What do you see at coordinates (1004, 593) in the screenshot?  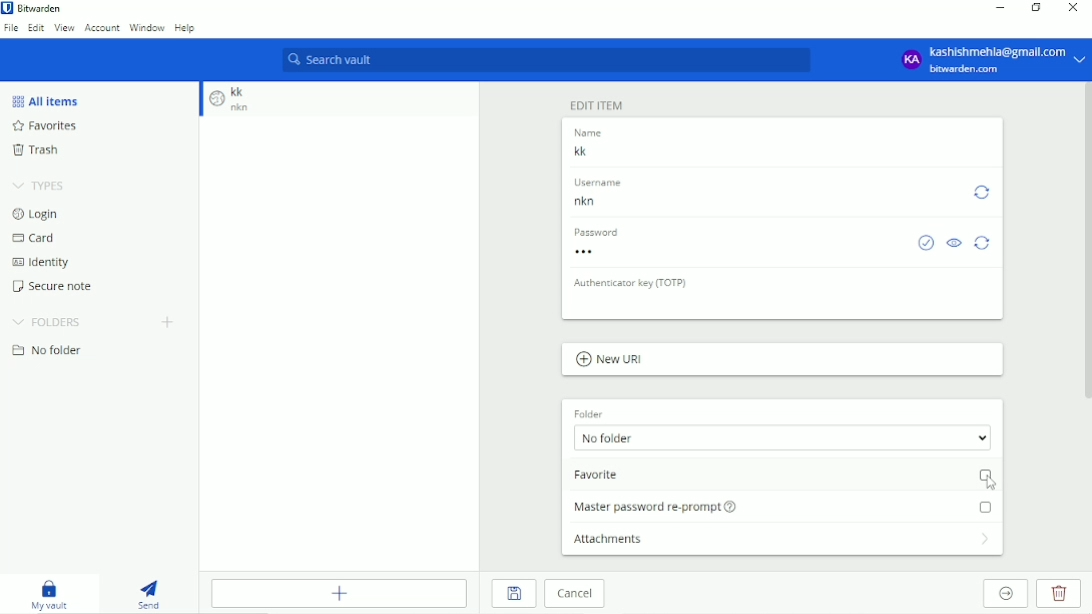 I see `Move to organization` at bounding box center [1004, 593].